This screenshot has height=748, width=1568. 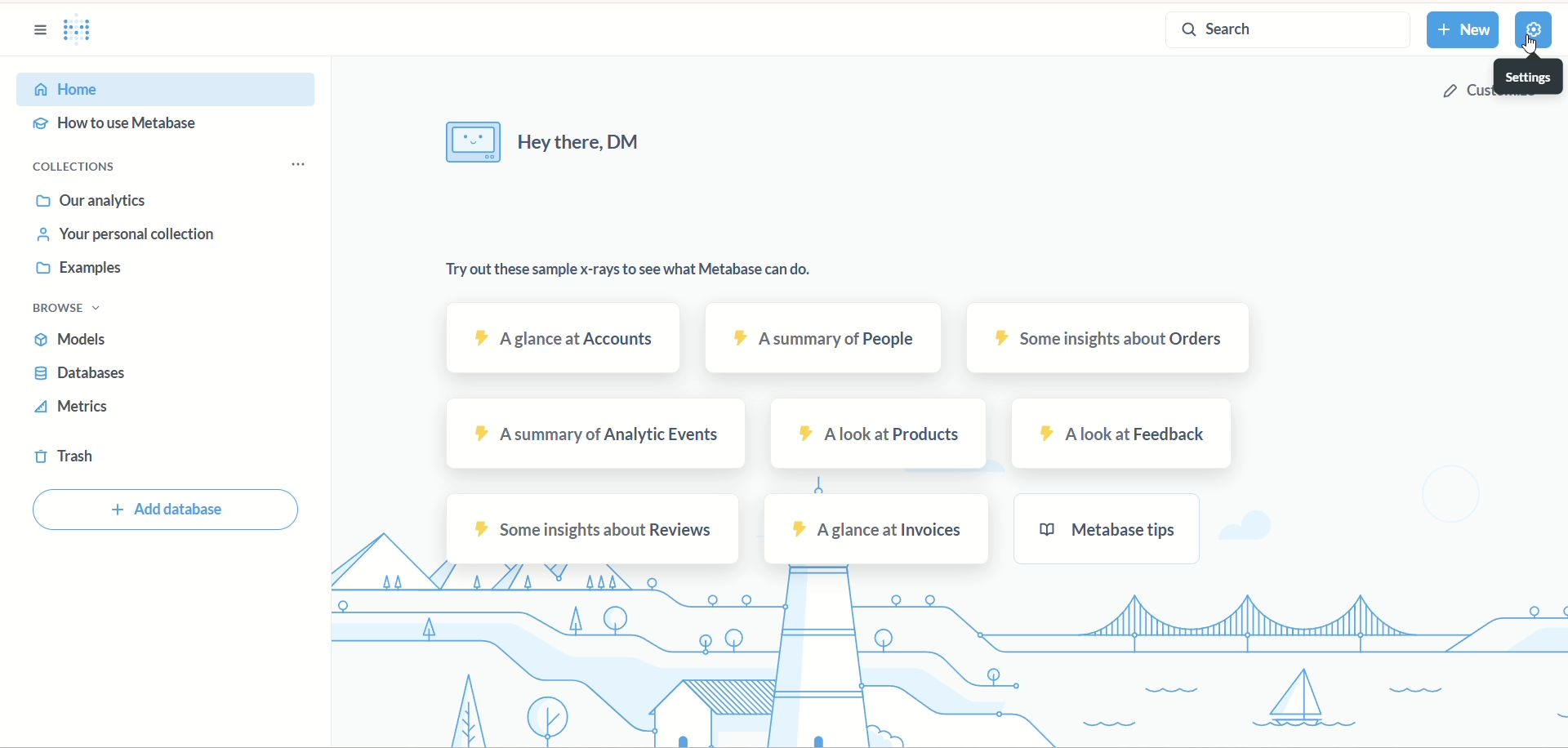 I want to click on accounts, so click(x=562, y=338).